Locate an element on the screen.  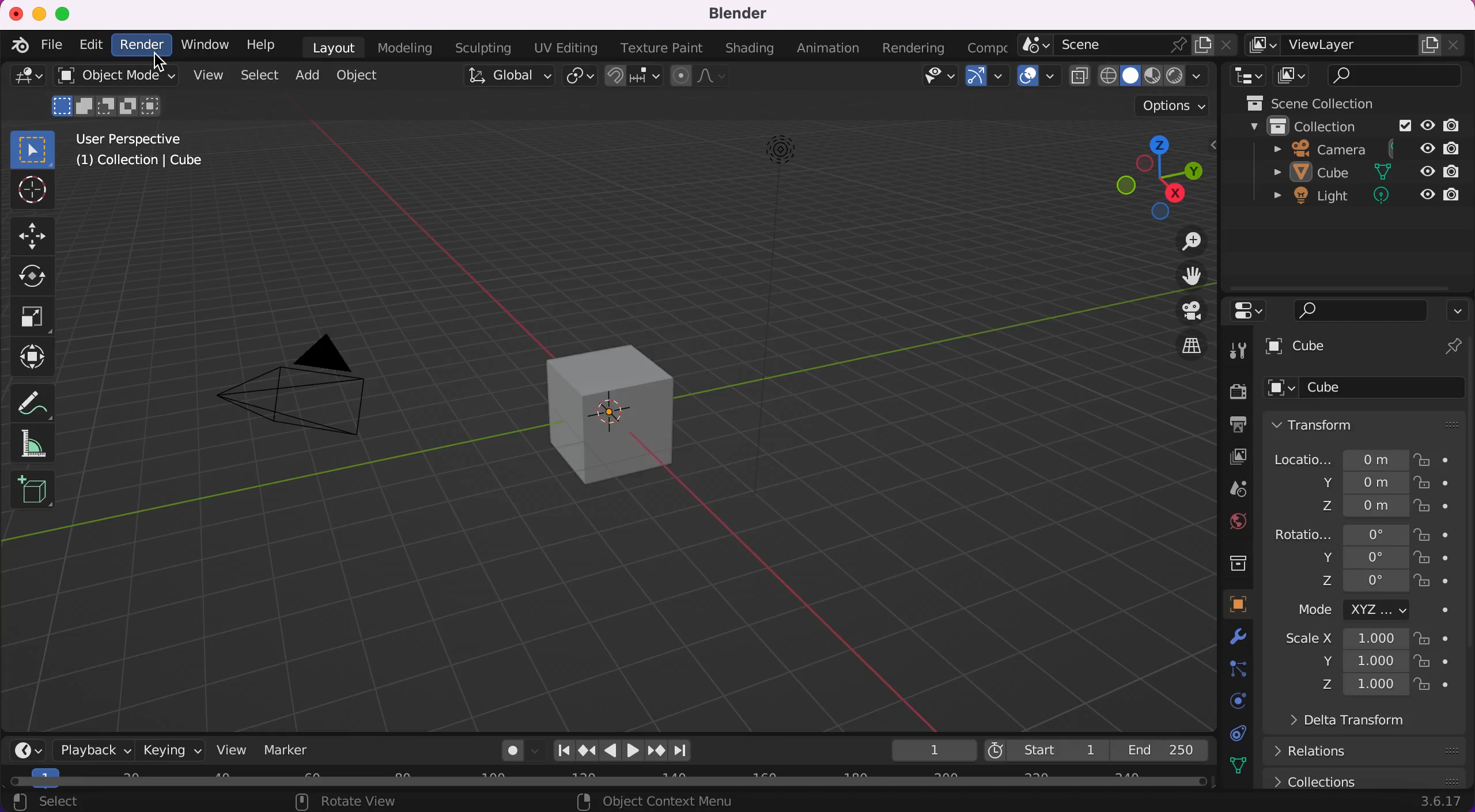
search bar is located at coordinates (1395, 75).